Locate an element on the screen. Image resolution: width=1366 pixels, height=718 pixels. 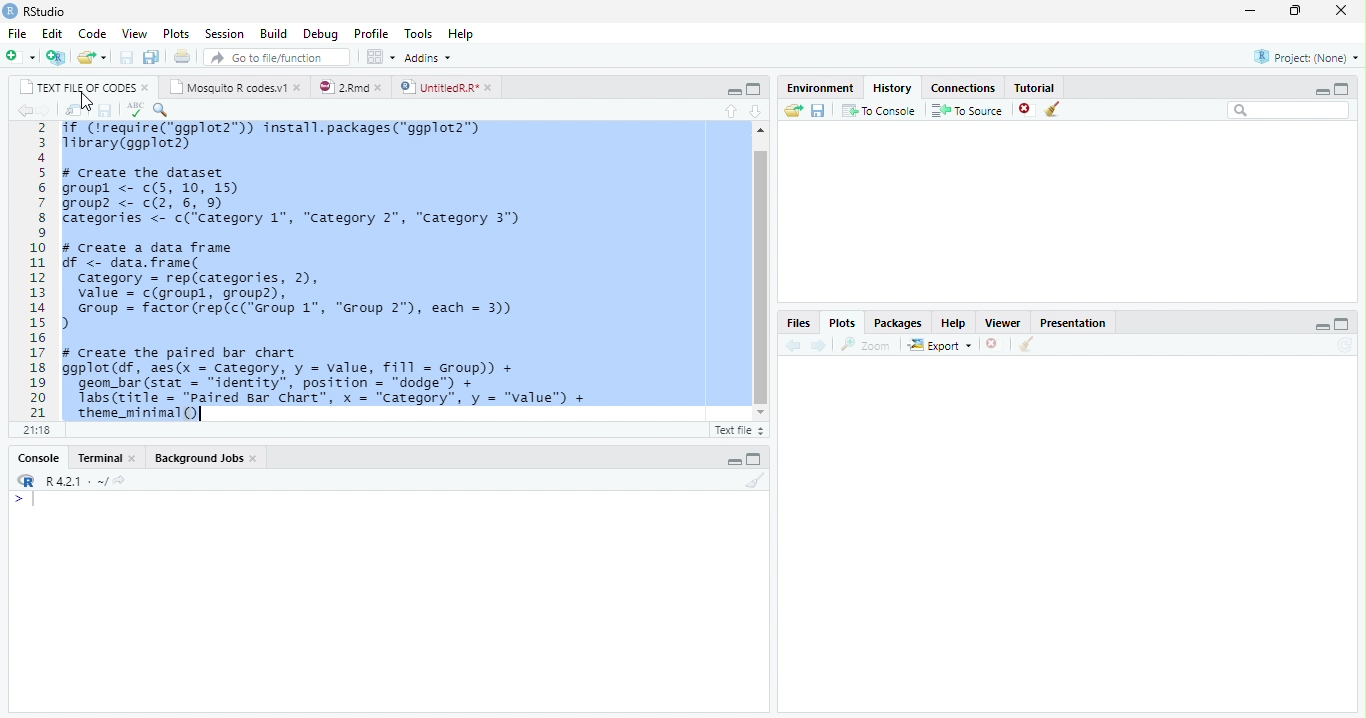
view is located at coordinates (131, 32).